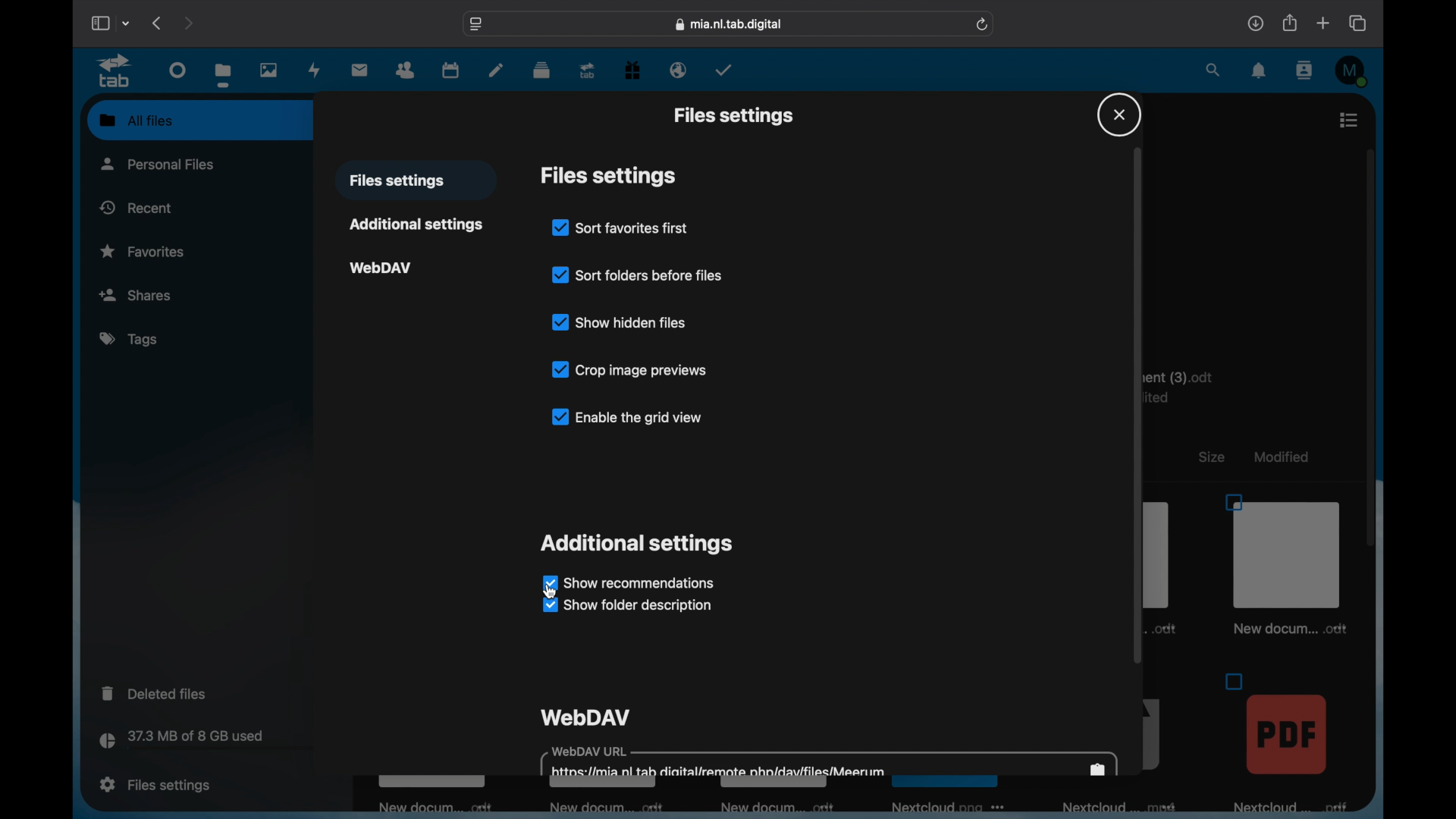  I want to click on show folder description, so click(629, 607).